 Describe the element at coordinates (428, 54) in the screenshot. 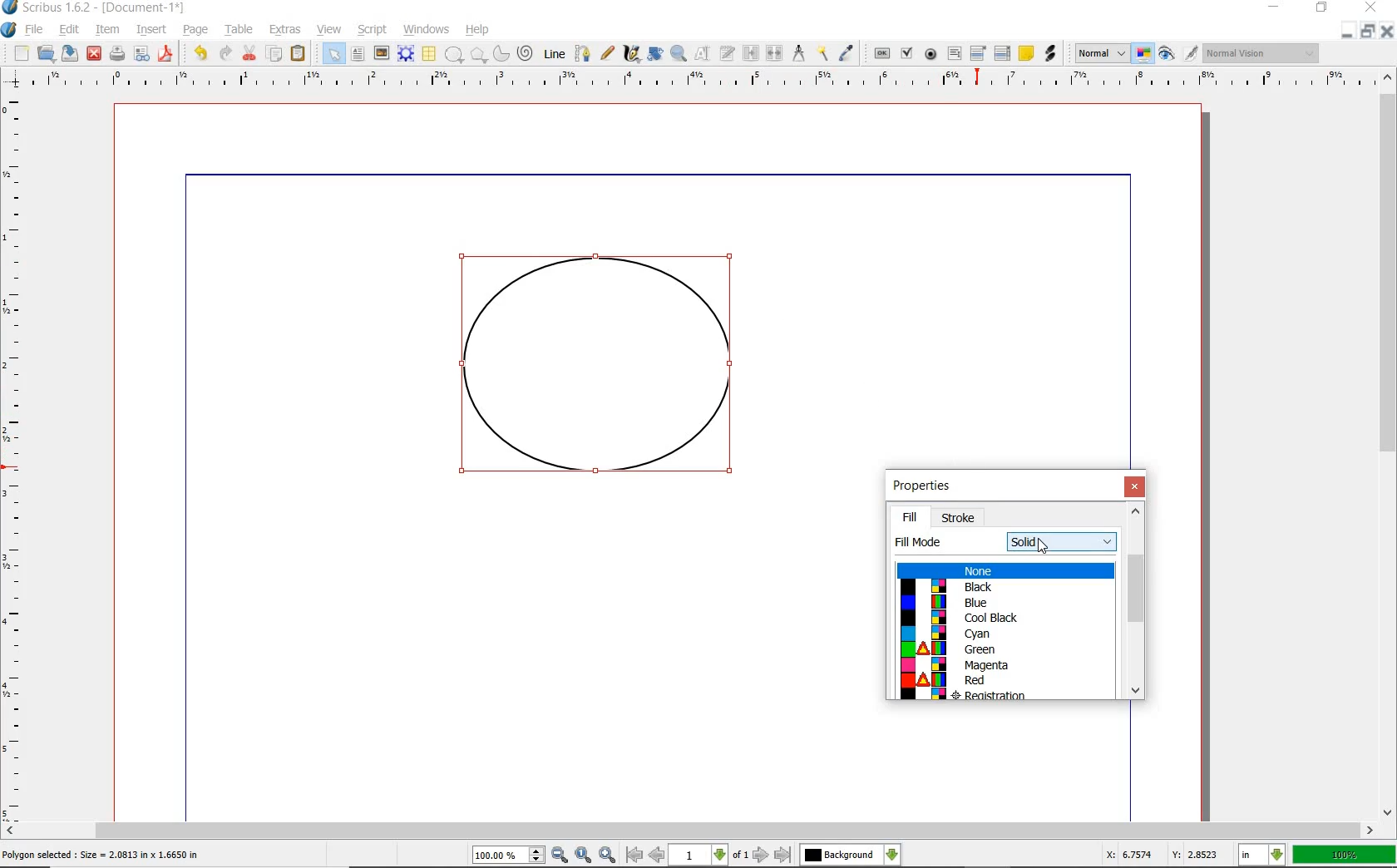

I see `TABLE` at that location.